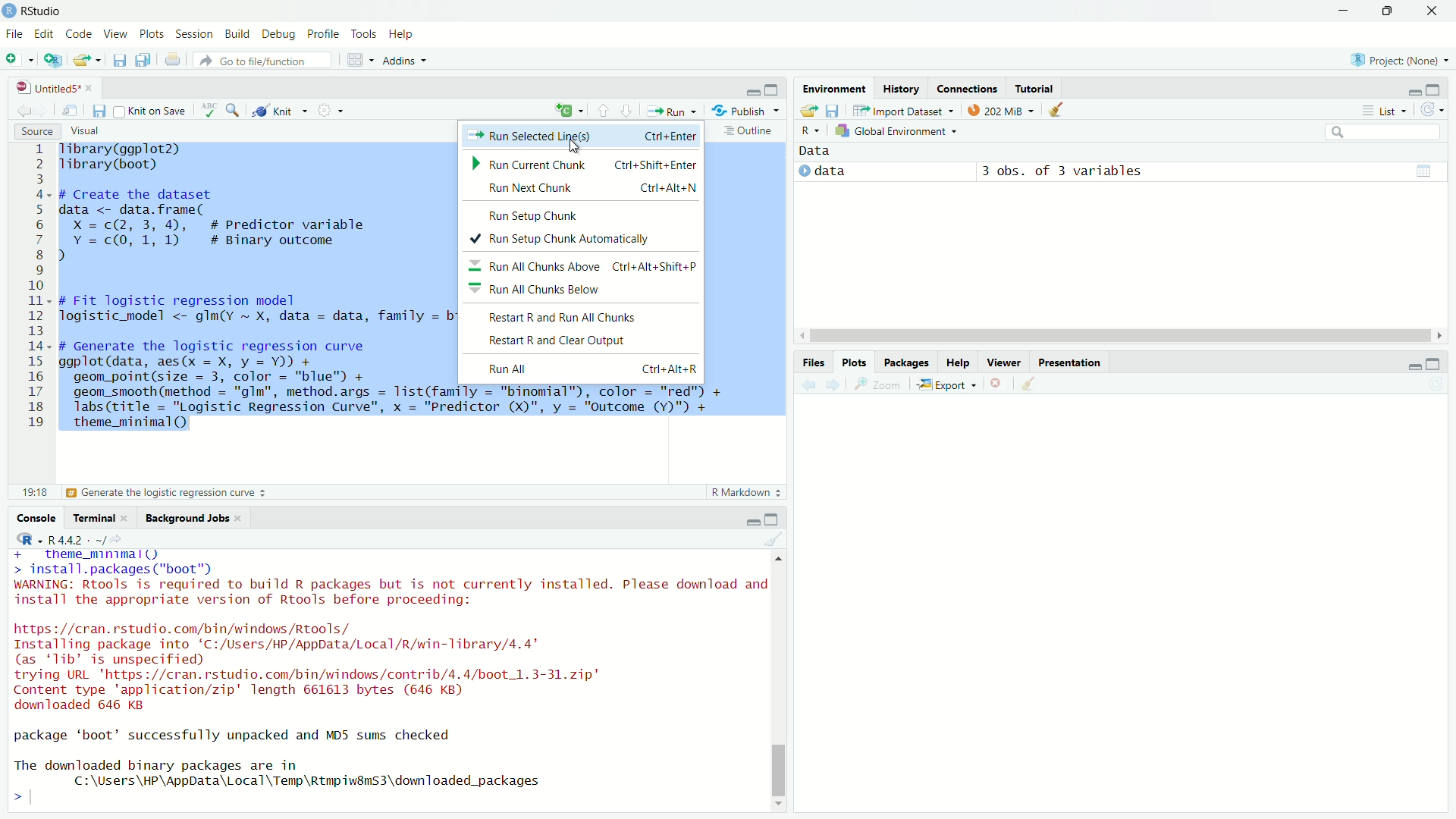  Describe the element at coordinates (89, 89) in the screenshot. I see `close` at that location.